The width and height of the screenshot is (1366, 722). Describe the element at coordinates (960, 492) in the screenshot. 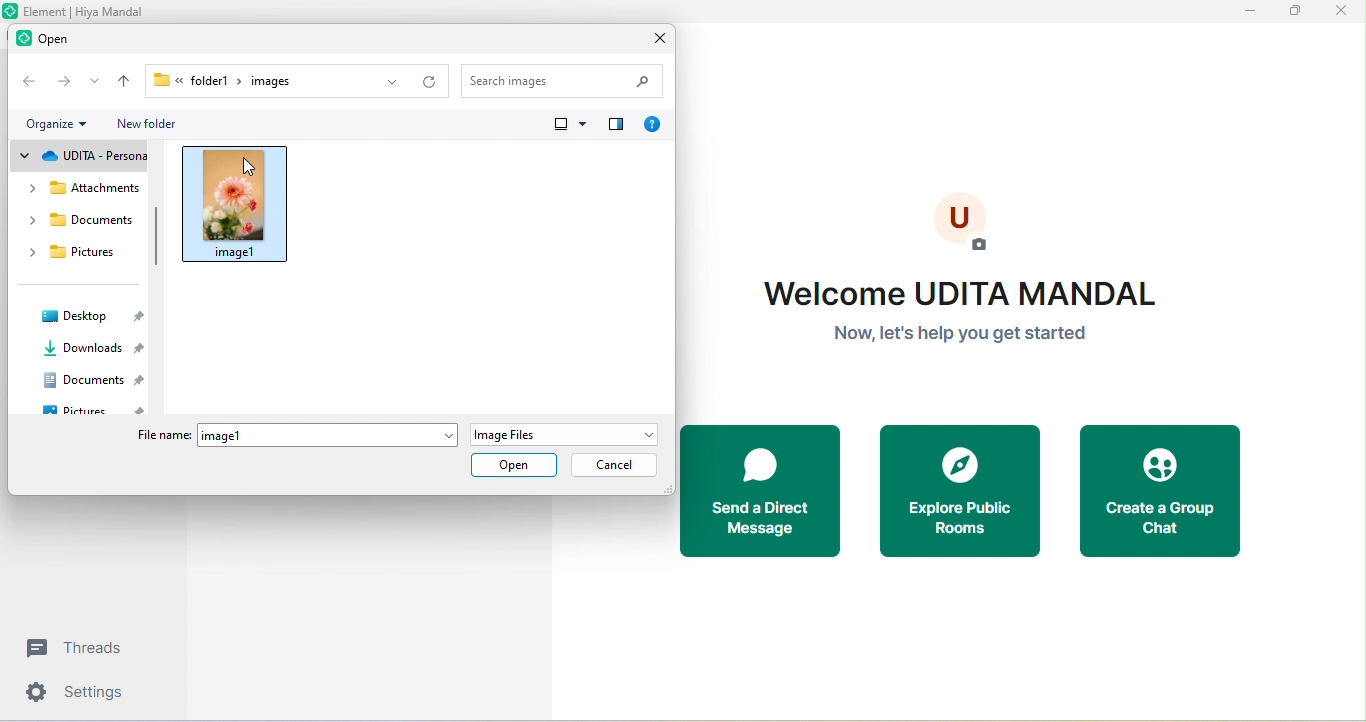

I see `explore public rooms` at that location.